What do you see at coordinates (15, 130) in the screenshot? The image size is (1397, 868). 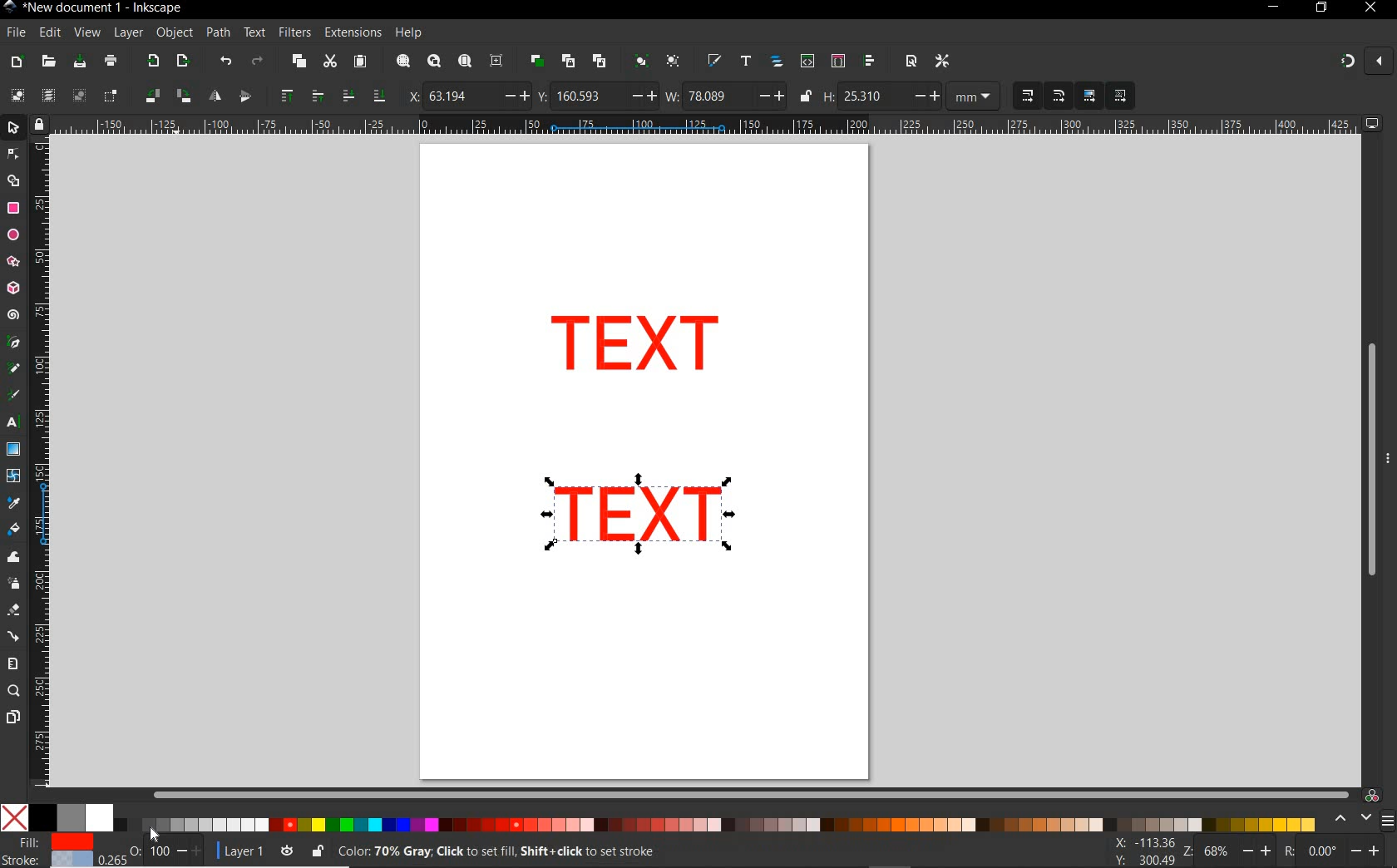 I see `selector tool` at bounding box center [15, 130].